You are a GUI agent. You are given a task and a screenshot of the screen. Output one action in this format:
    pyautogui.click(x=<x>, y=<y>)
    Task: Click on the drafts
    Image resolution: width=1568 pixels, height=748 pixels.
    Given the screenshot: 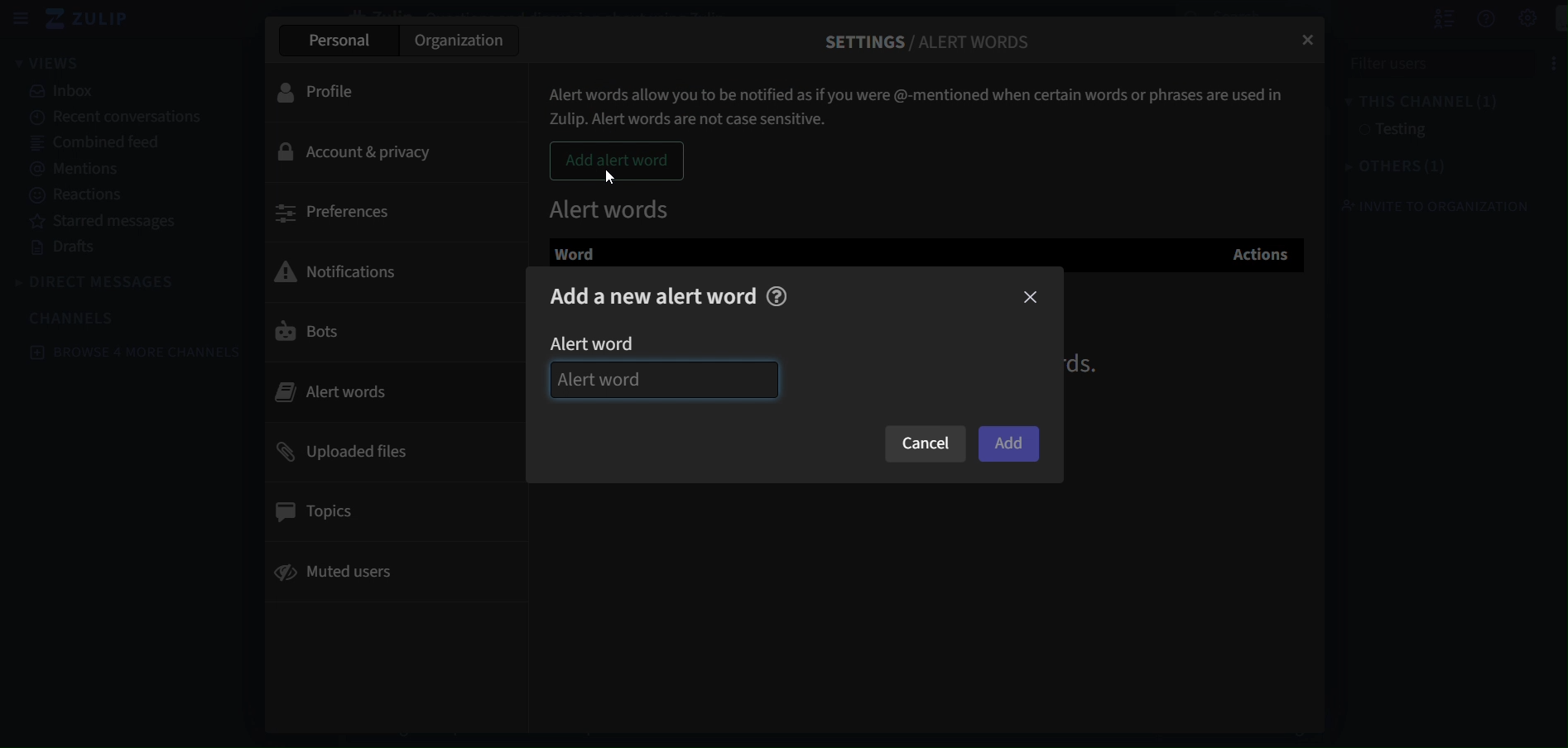 What is the action you would take?
    pyautogui.click(x=71, y=250)
    